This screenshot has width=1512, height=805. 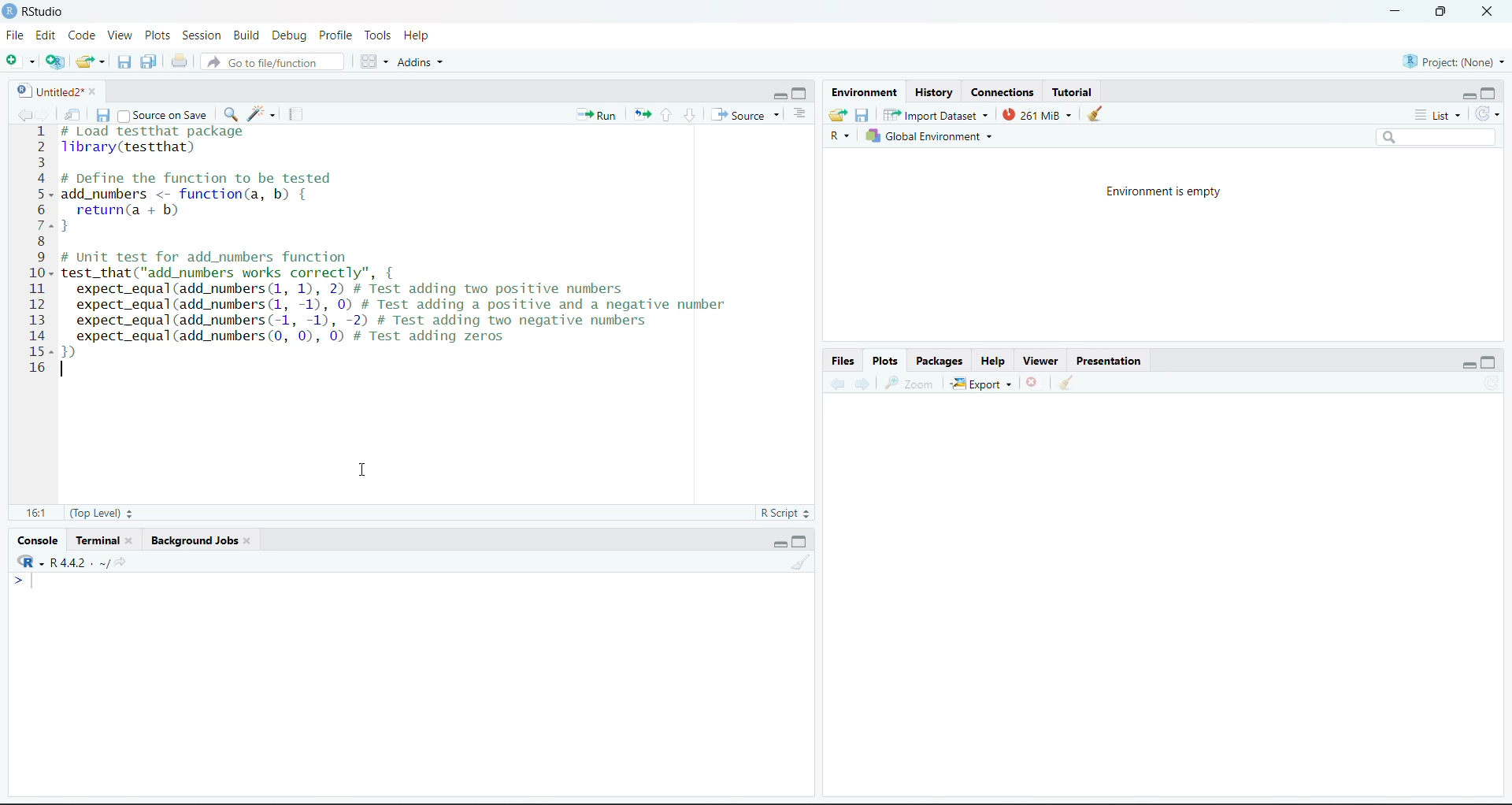 What do you see at coordinates (202, 540) in the screenshot?
I see `Background jobs` at bounding box center [202, 540].